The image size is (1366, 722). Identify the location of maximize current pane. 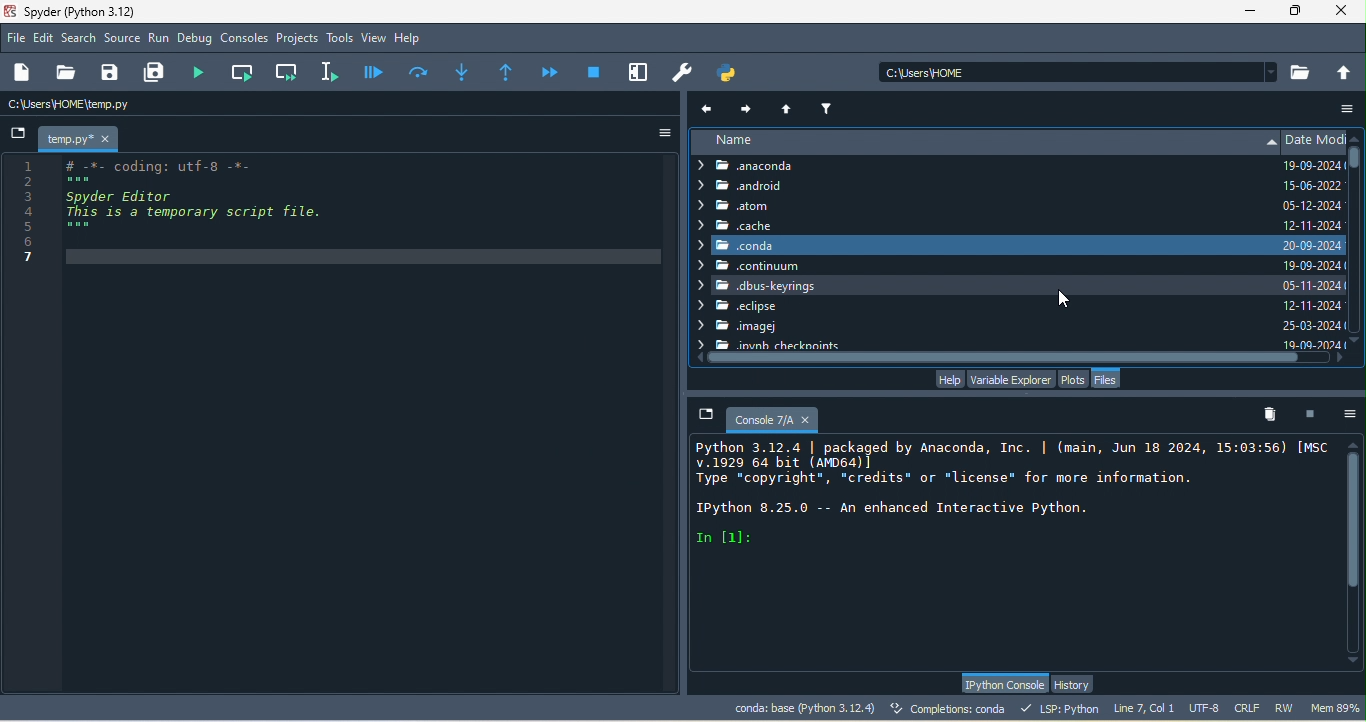
(639, 72).